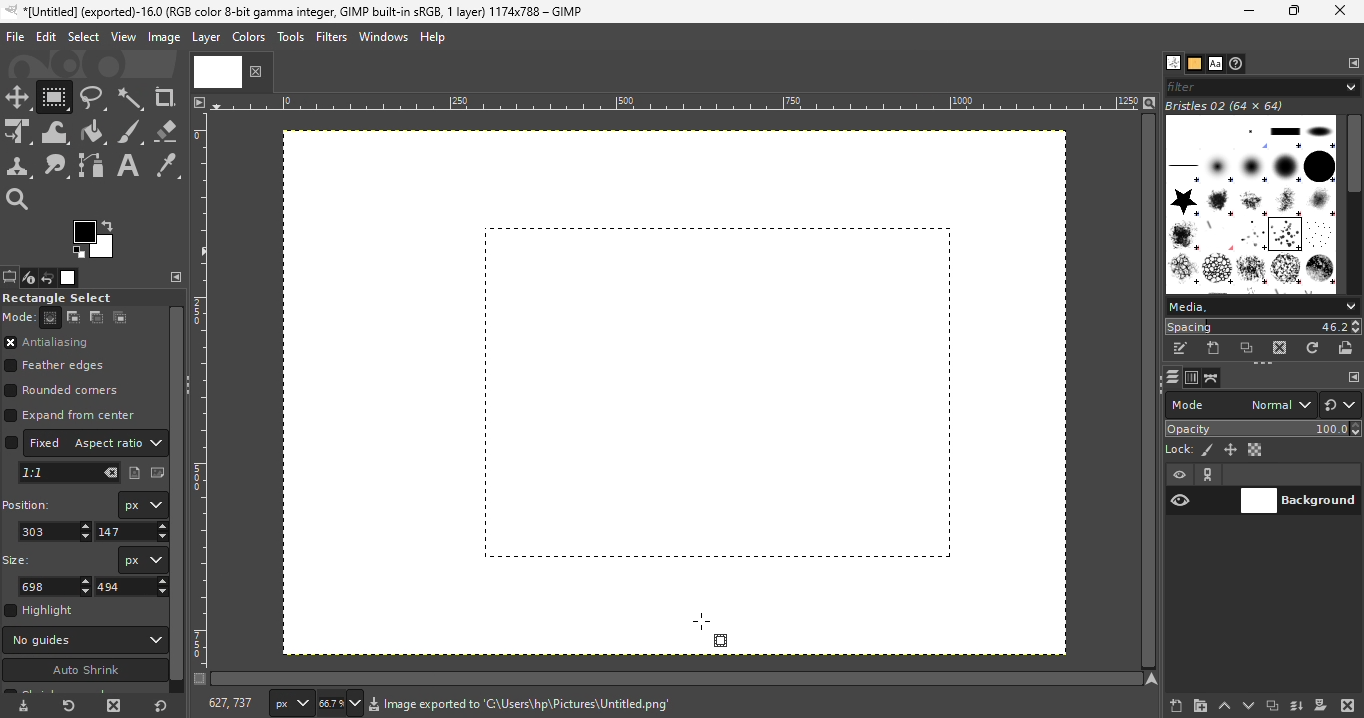 The height and width of the screenshot is (718, 1364). Describe the element at coordinates (1211, 379) in the screenshot. I see `Paths` at that location.